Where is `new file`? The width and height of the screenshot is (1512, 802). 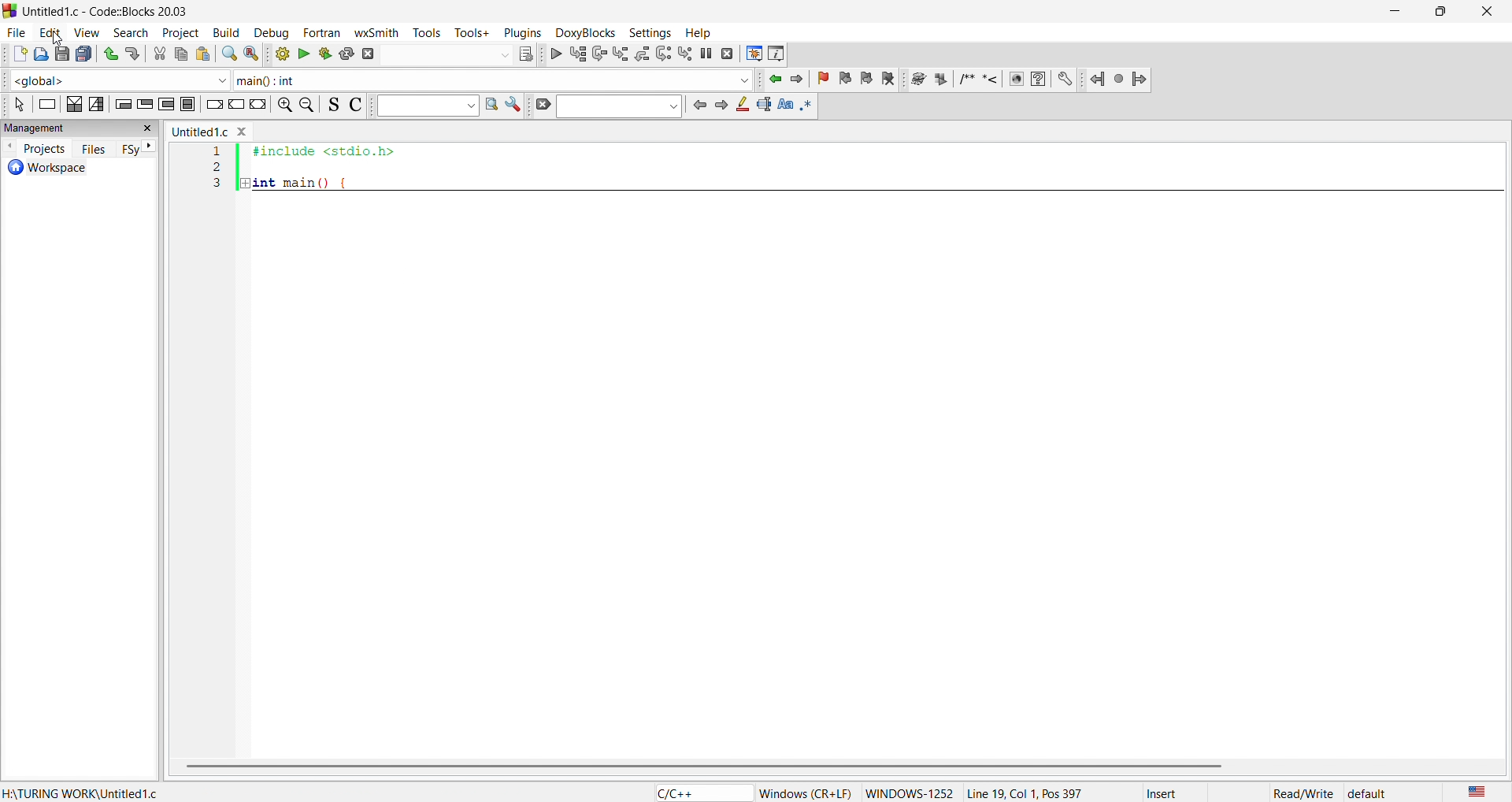 new file is located at coordinates (14, 55).